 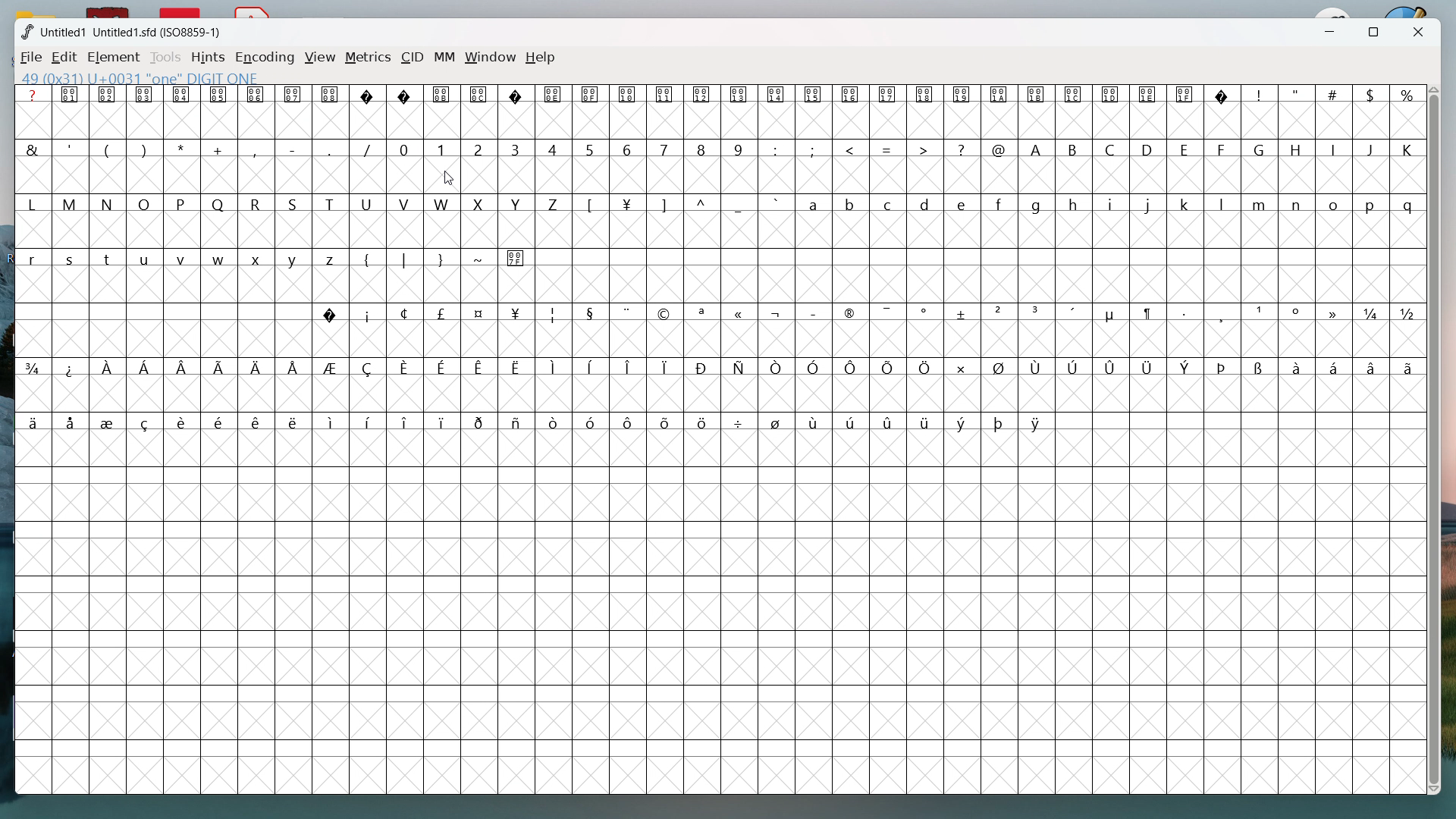 I want to click on symbol, so click(x=780, y=422).